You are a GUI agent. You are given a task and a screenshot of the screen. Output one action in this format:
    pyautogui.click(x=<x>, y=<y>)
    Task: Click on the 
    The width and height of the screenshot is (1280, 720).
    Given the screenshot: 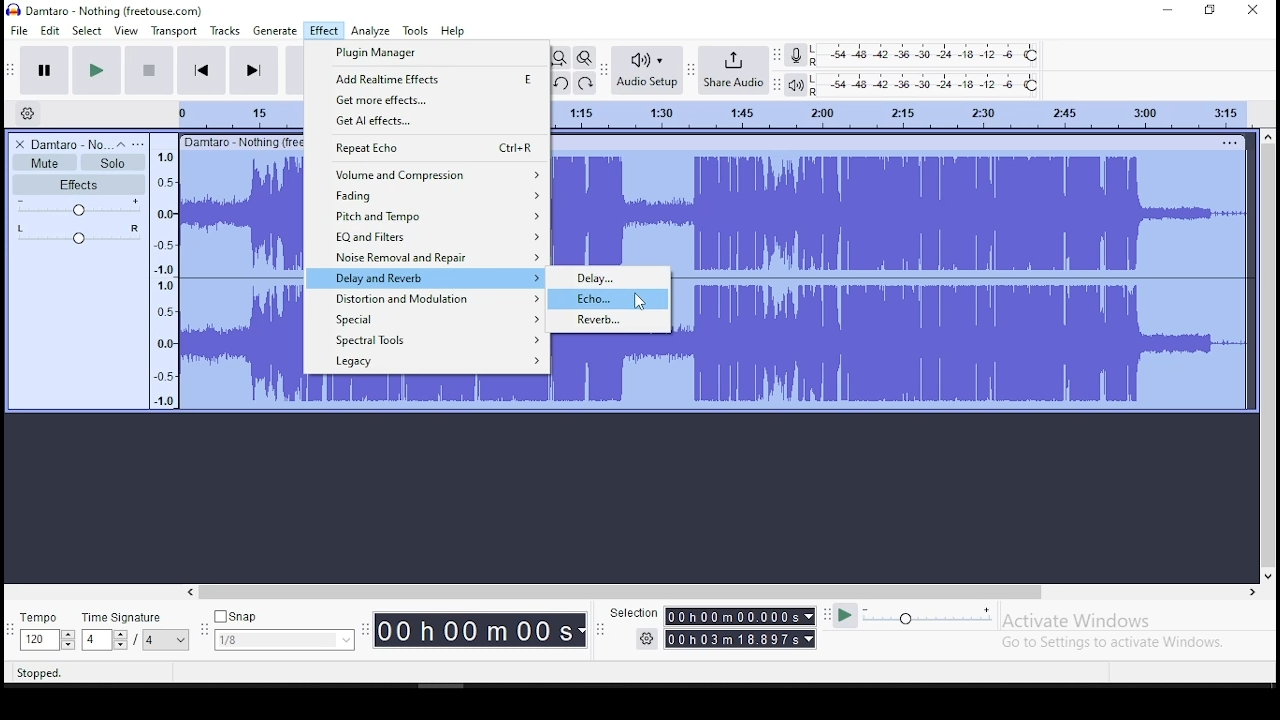 What is the action you would take?
    pyautogui.click(x=161, y=280)
    